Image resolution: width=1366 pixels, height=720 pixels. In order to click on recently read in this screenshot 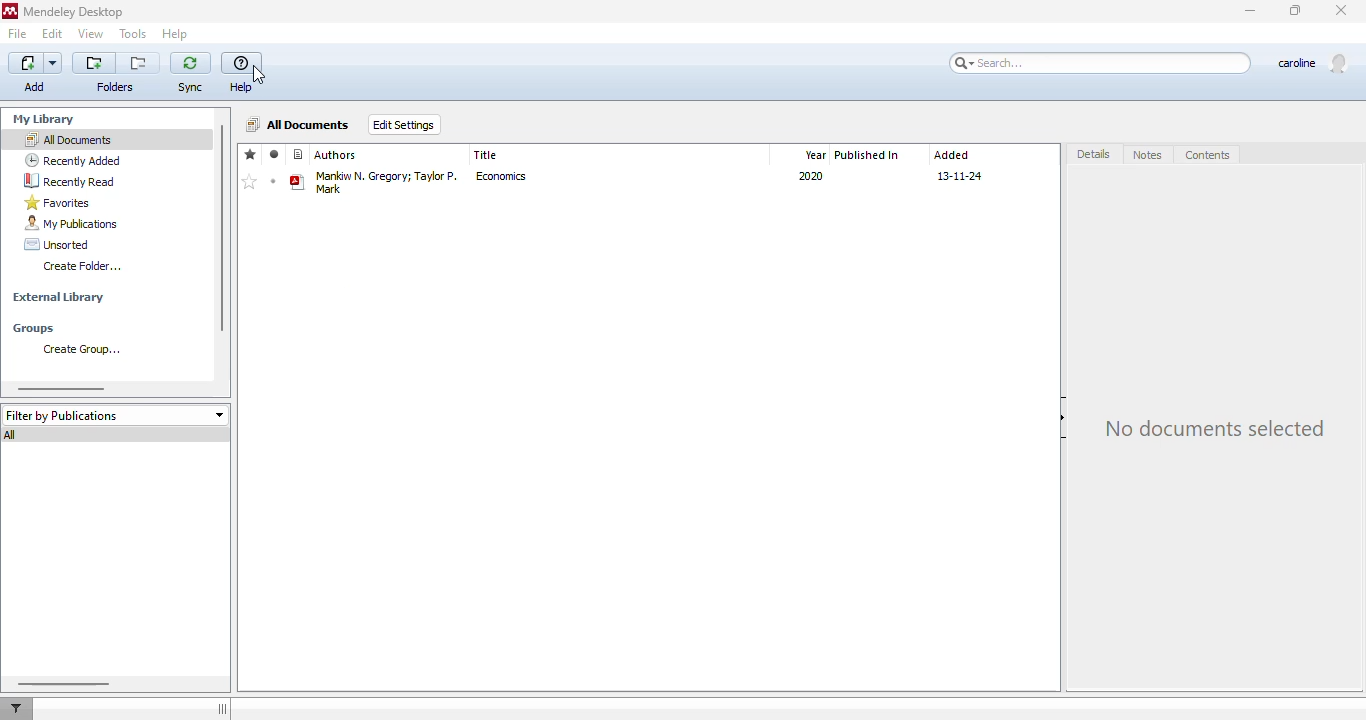, I will do `click(70, 181)`.